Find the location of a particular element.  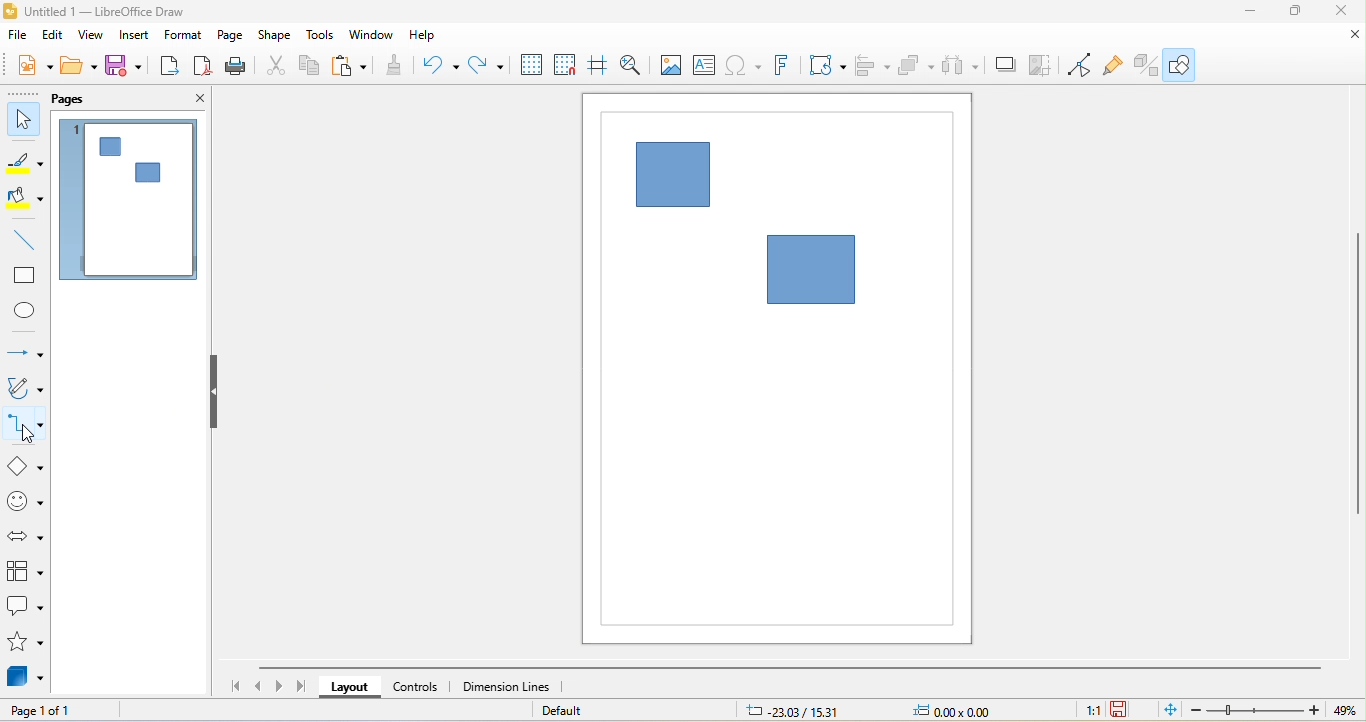

callout shape is located at coordinates (26, 605).